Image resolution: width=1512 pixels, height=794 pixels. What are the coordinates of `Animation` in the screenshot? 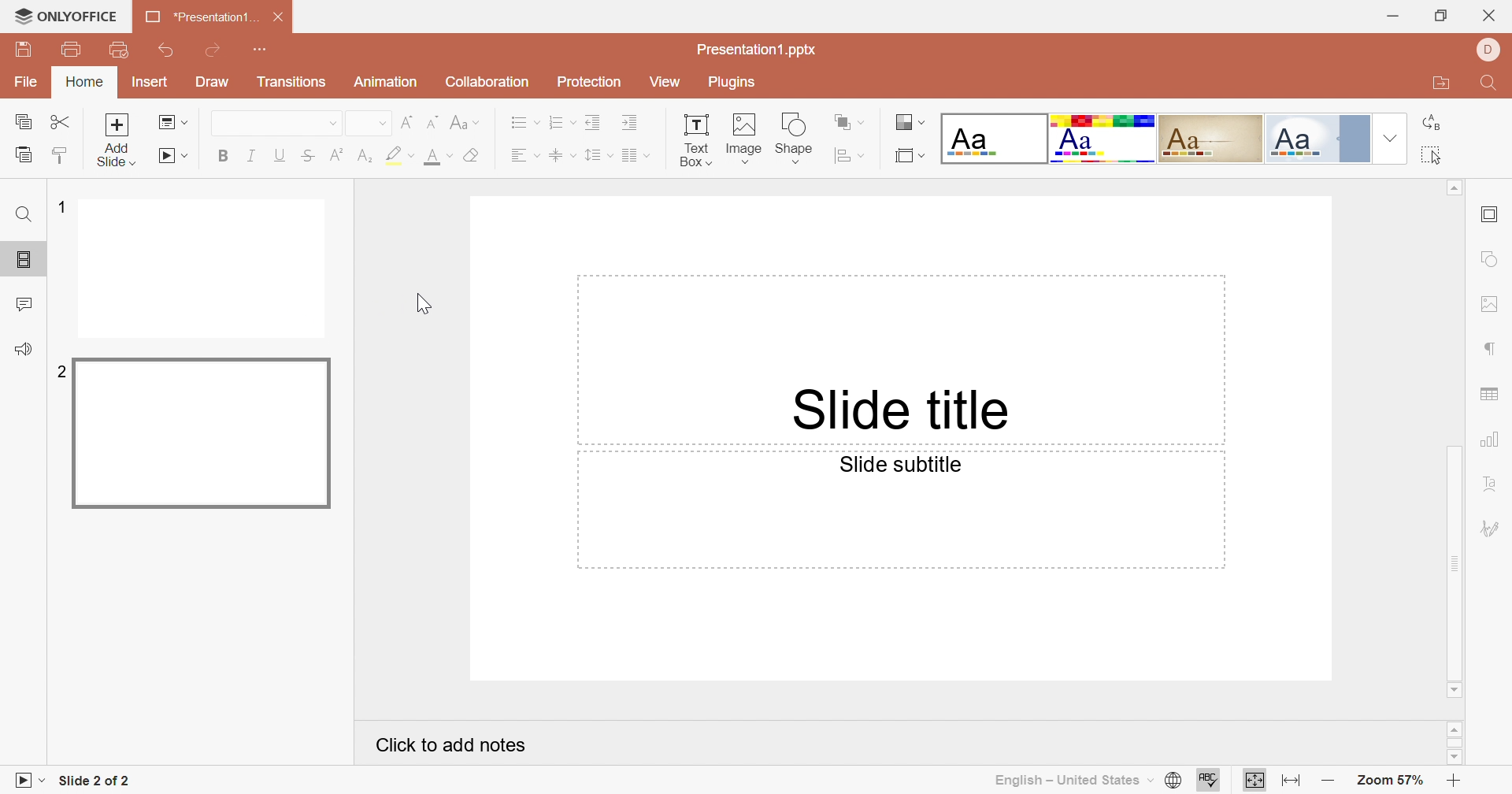 It's located at (386, 82).